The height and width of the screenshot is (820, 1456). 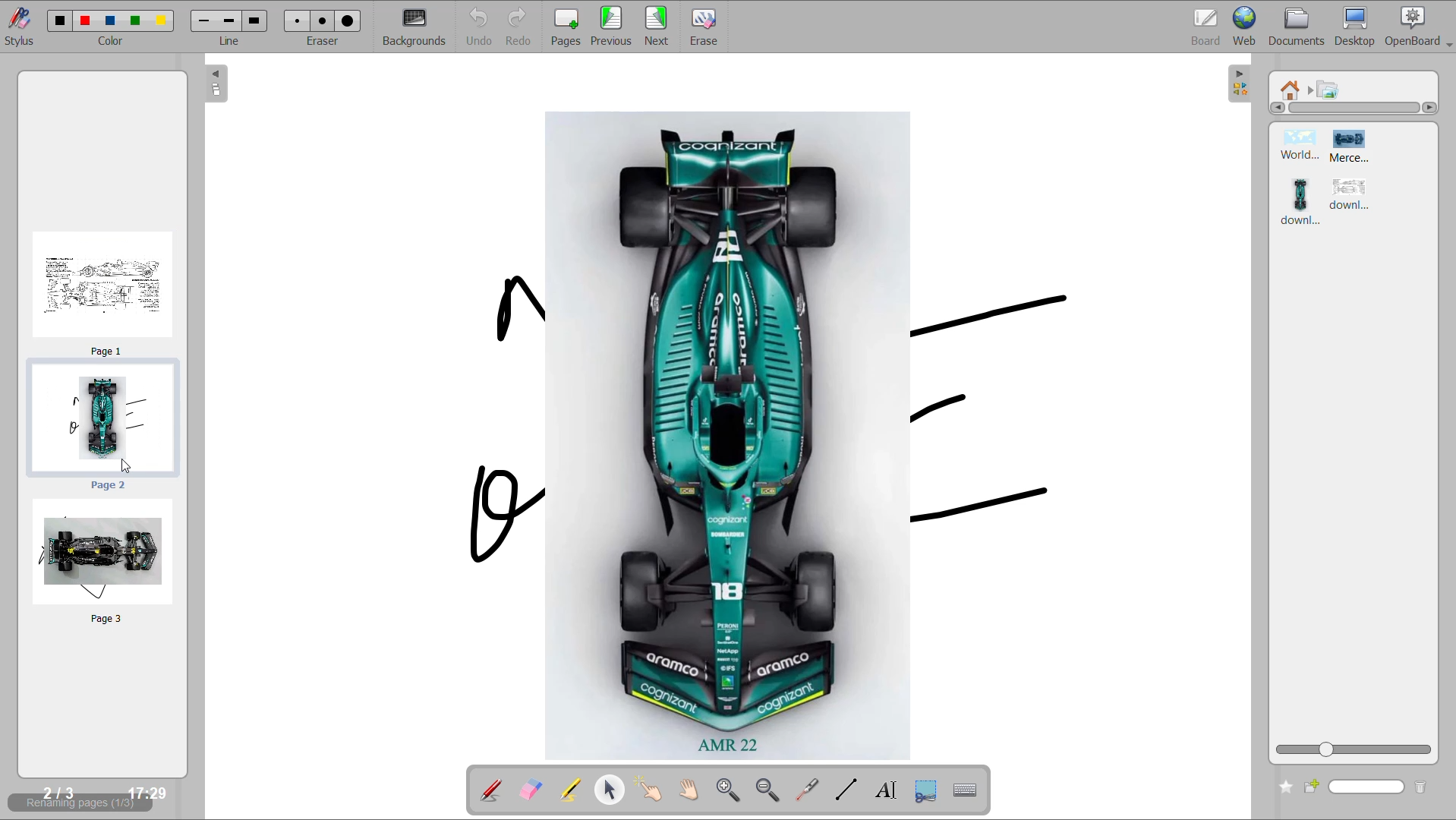 I want to click on image 3, so click(x=1301, y=202).